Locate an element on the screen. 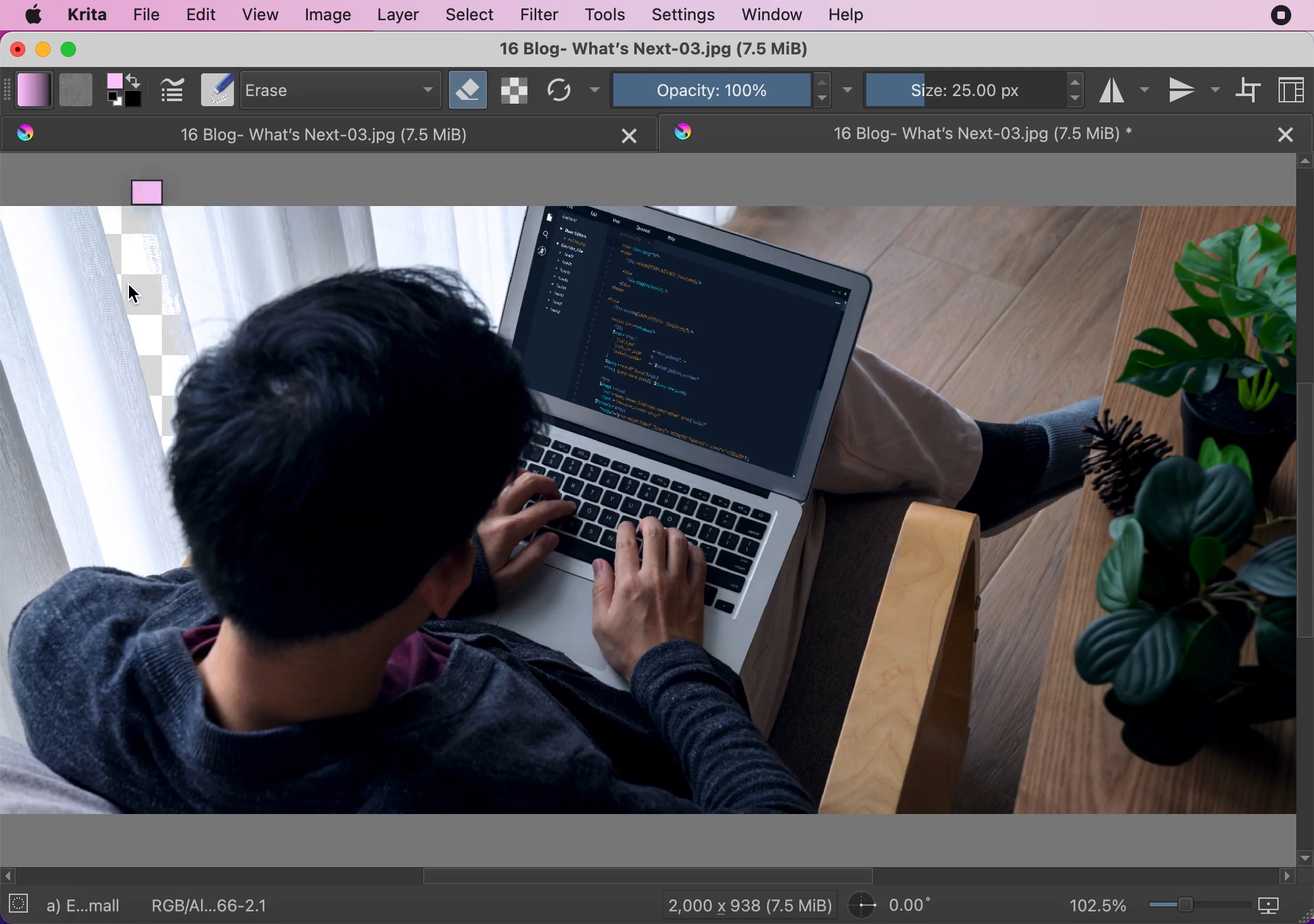 Image resolution: width=1314 pixels, height=924 pixels. window is located at coordinates (773, 15).